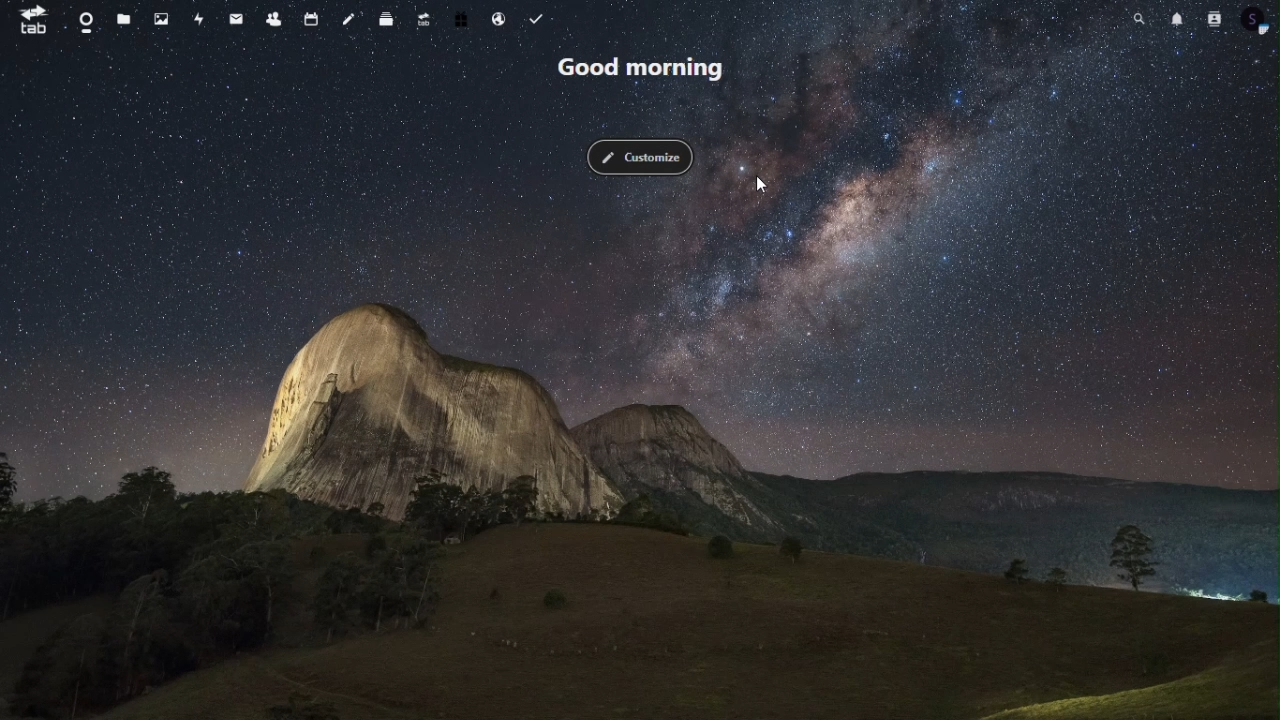  I want to click on image, so click(160, 19).